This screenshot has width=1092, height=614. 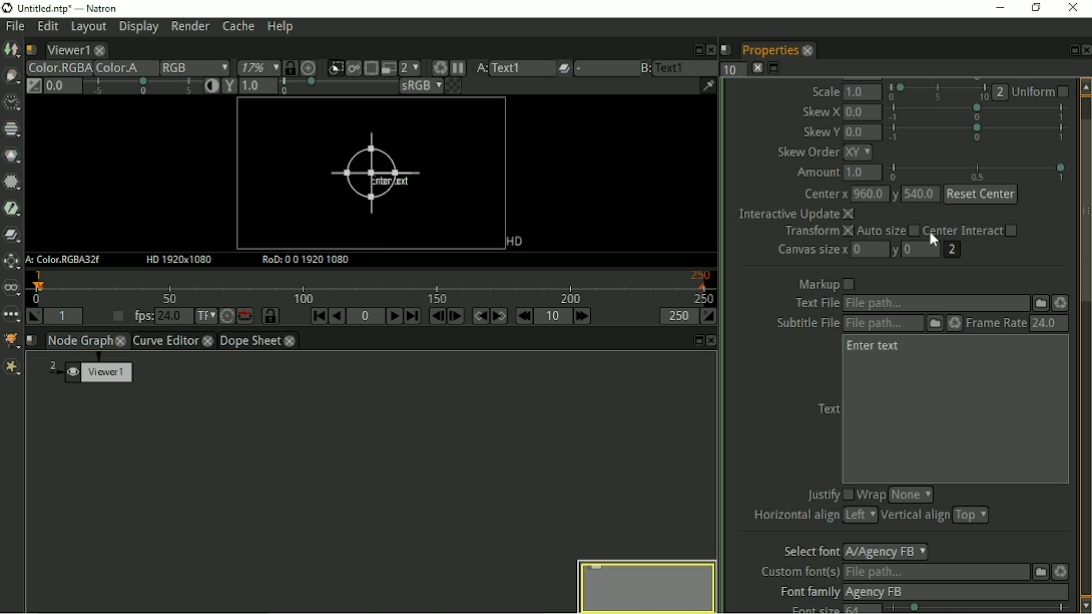 What do you see at coordinates (290, 342) in the screenshot?
I see `close` at bounding box center [290, 342].